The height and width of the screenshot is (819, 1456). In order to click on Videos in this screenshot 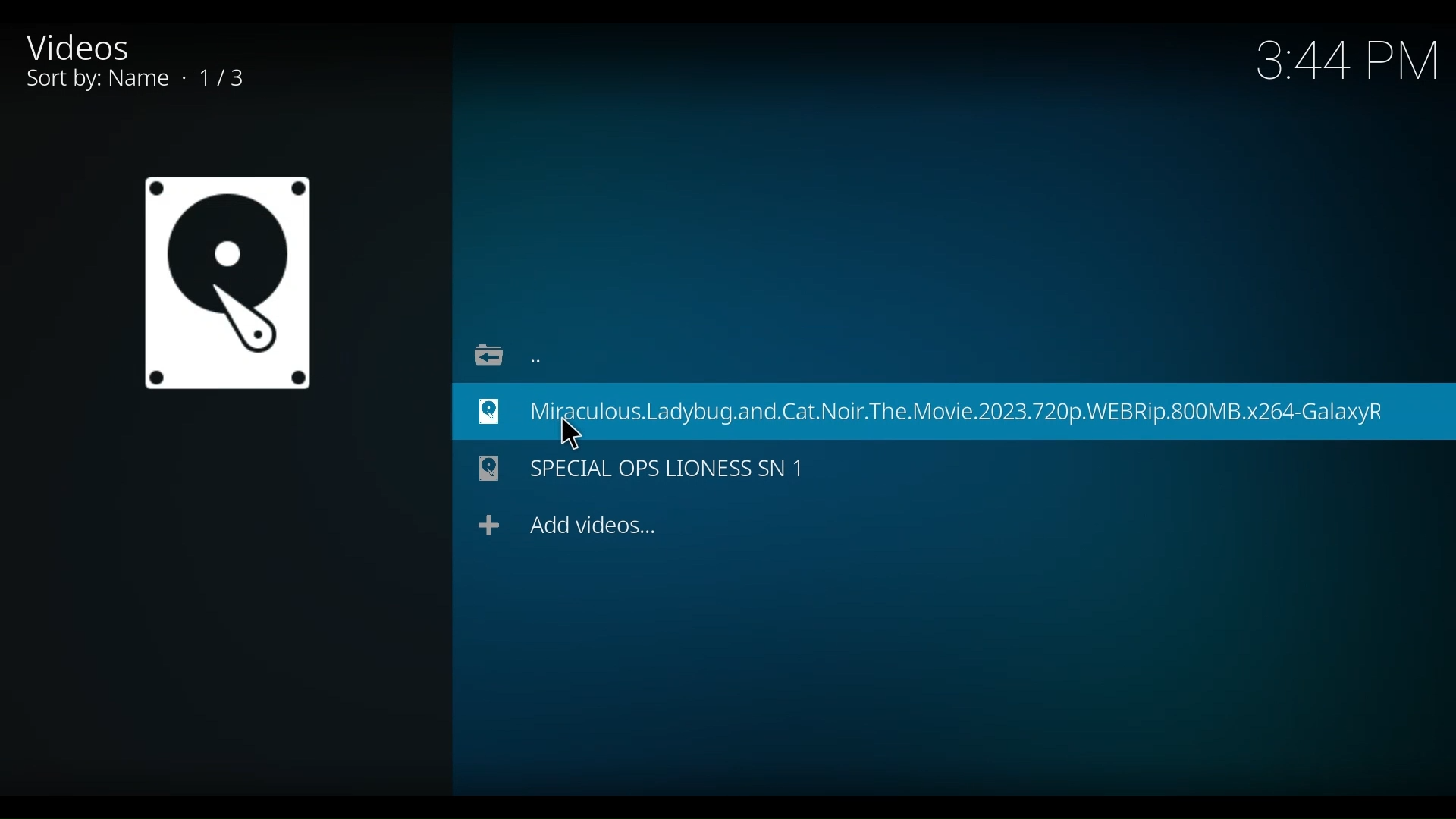, I will do `click(93, 46)`.